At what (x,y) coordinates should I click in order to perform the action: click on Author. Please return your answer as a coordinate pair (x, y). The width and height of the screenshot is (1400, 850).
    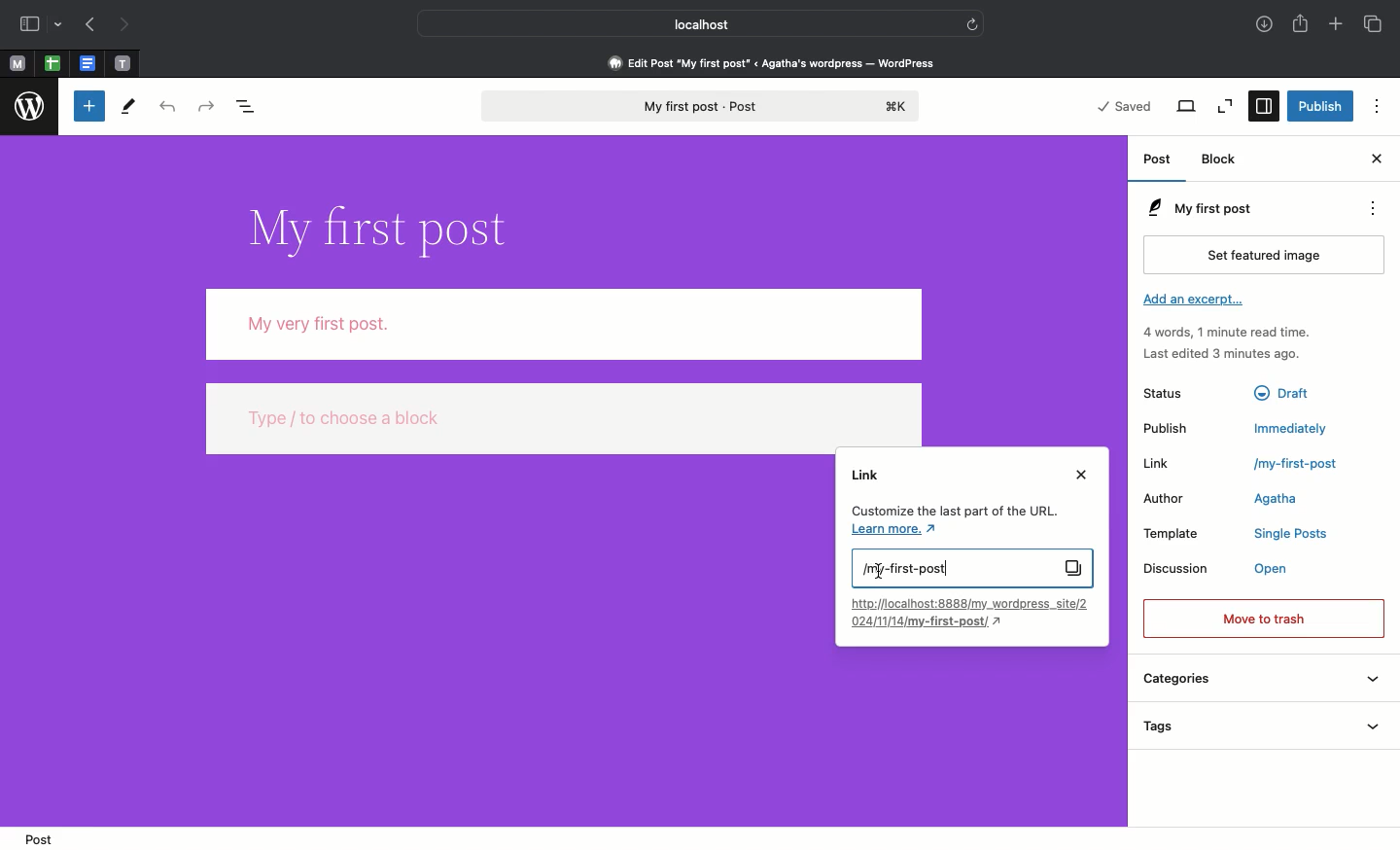
    Looking at the image, I should click on (1161, 498).